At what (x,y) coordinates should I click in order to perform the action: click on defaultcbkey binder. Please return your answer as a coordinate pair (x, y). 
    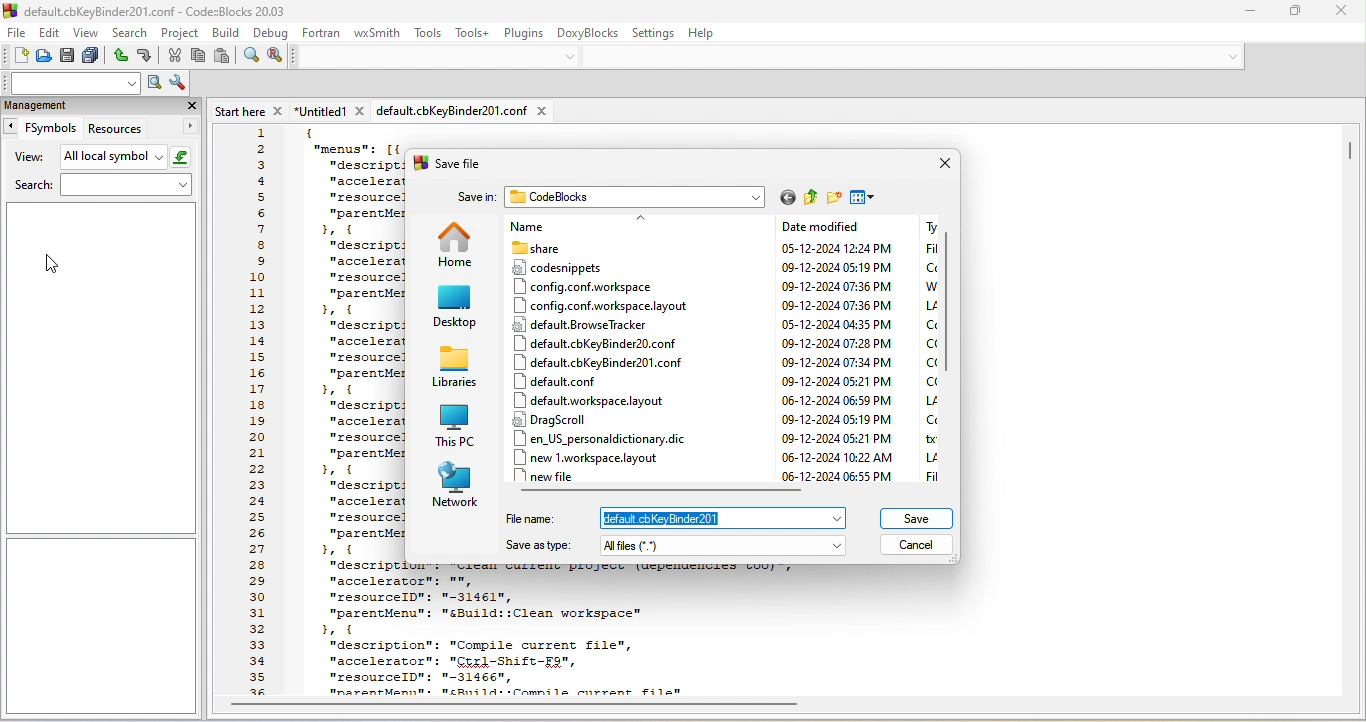
    Looking at the image, I should click on (462, 112).